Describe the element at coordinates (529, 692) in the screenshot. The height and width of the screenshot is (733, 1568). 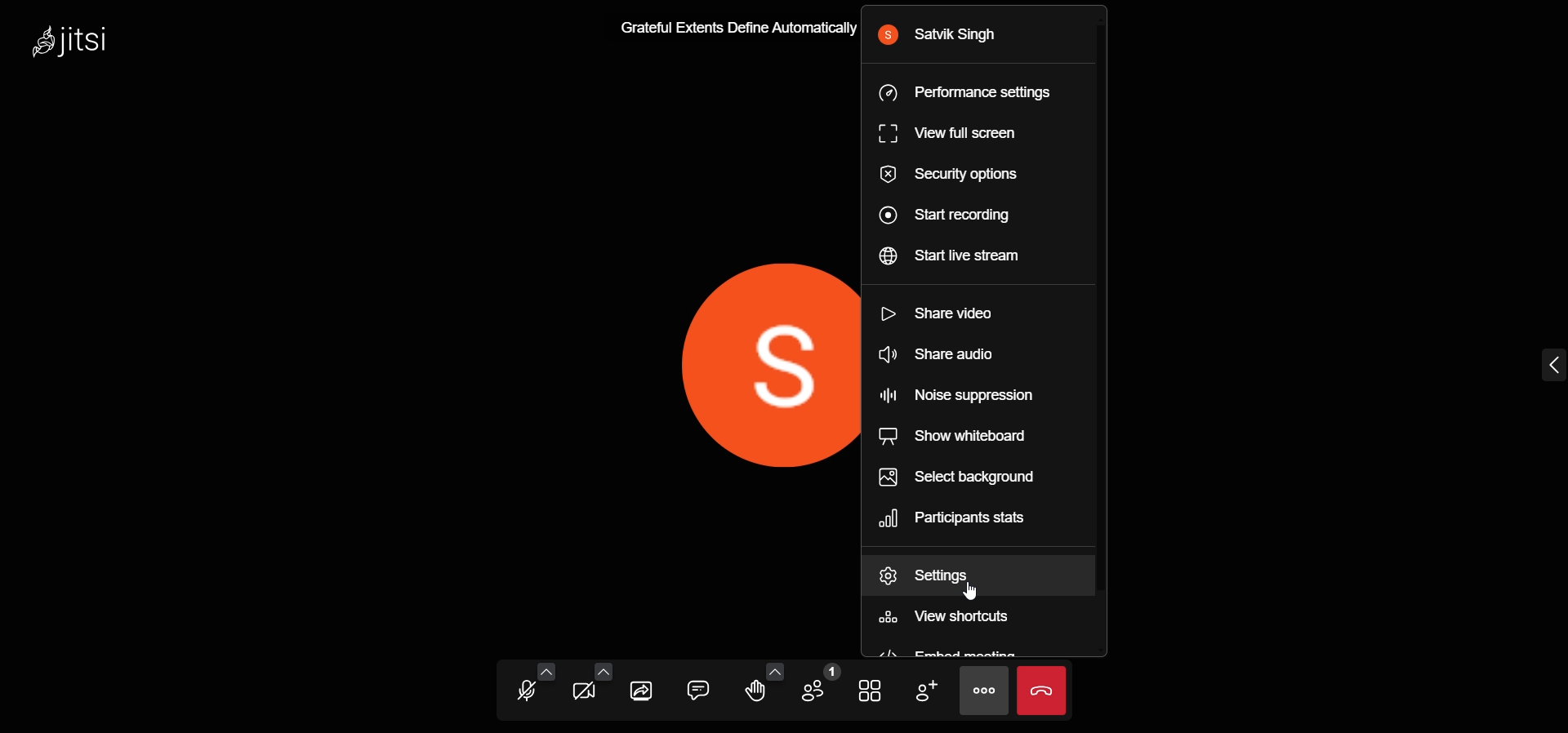
I see `microphone` at that location.